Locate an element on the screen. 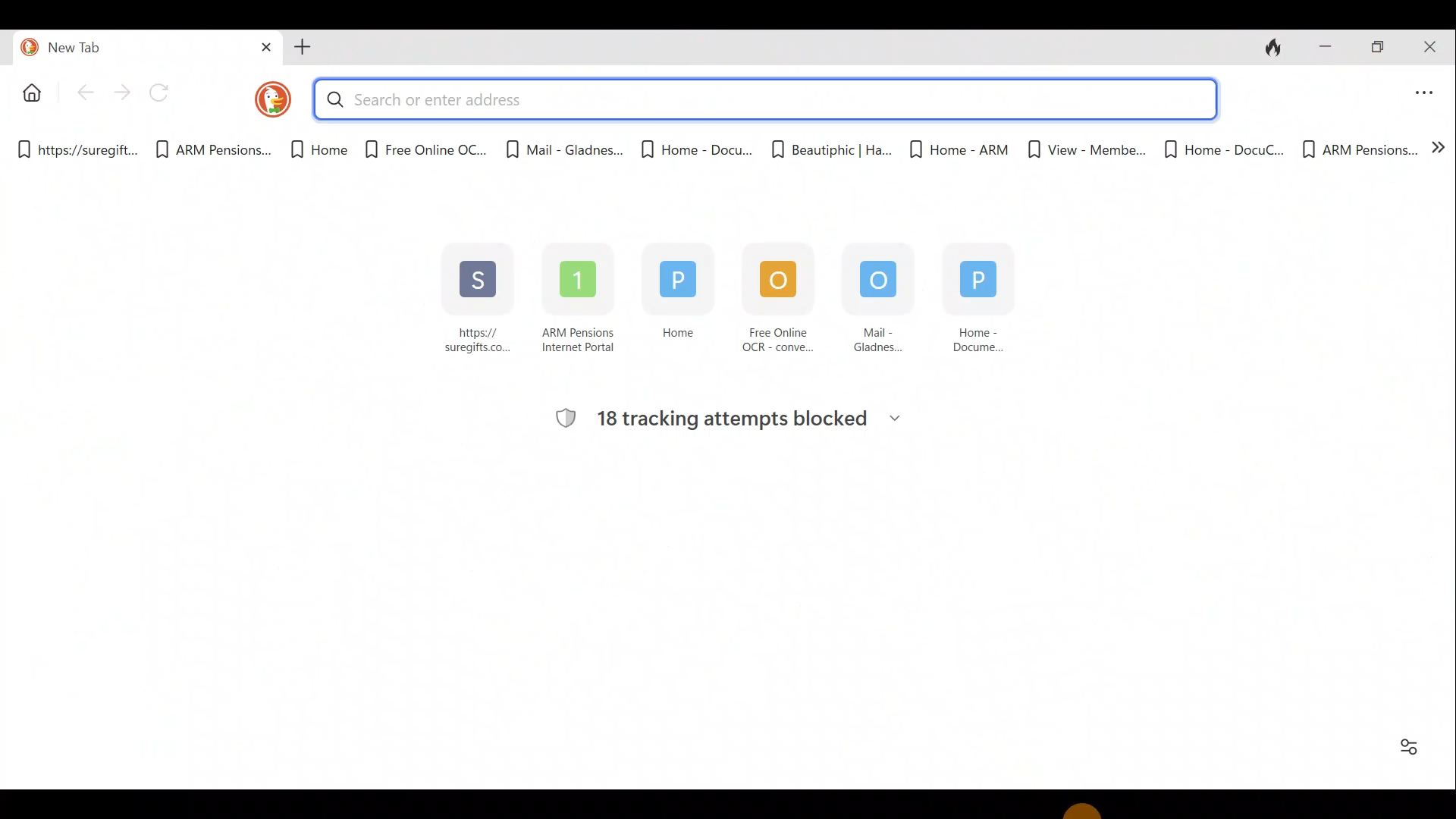 The height and width of the screenshot is (819, 1456). Close tabs and clear data is located at coordinates (1277, 48).